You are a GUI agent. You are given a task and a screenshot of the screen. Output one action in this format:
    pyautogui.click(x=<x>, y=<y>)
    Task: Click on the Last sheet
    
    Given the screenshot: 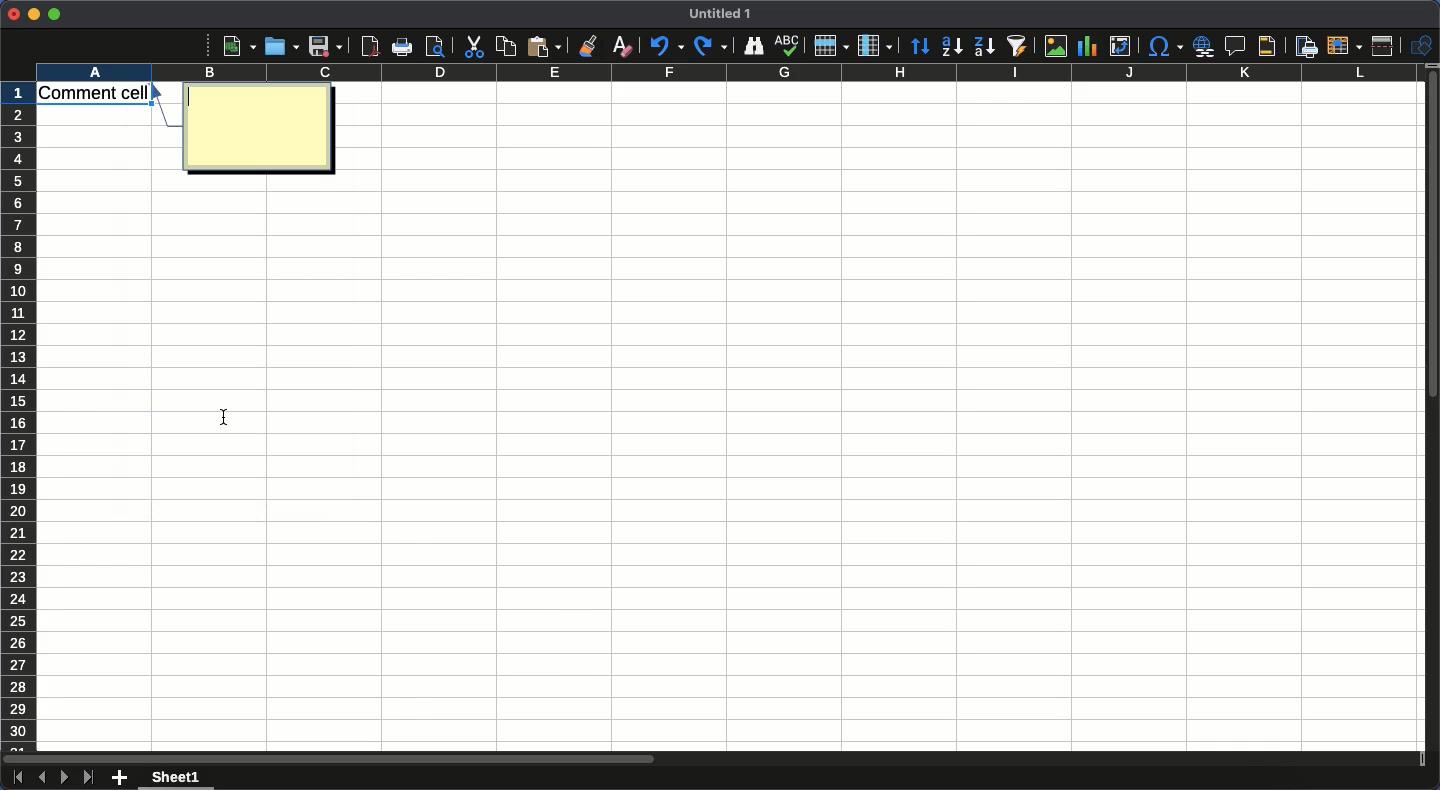 What is the action you would take?
    pyautogui.click(x=88, y=778)
    